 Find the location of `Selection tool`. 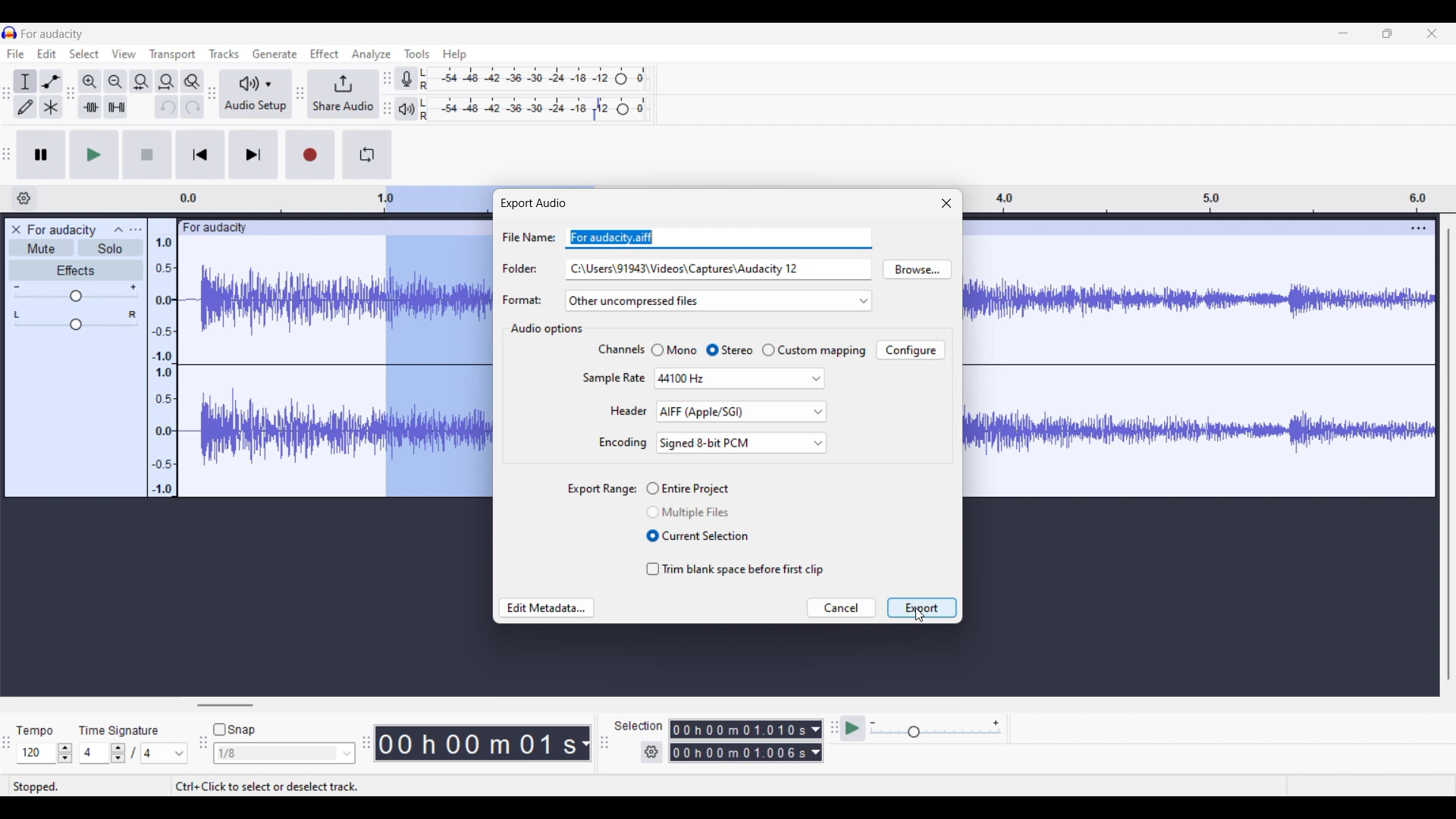

Selection tool is located at coordinates (26, 82).